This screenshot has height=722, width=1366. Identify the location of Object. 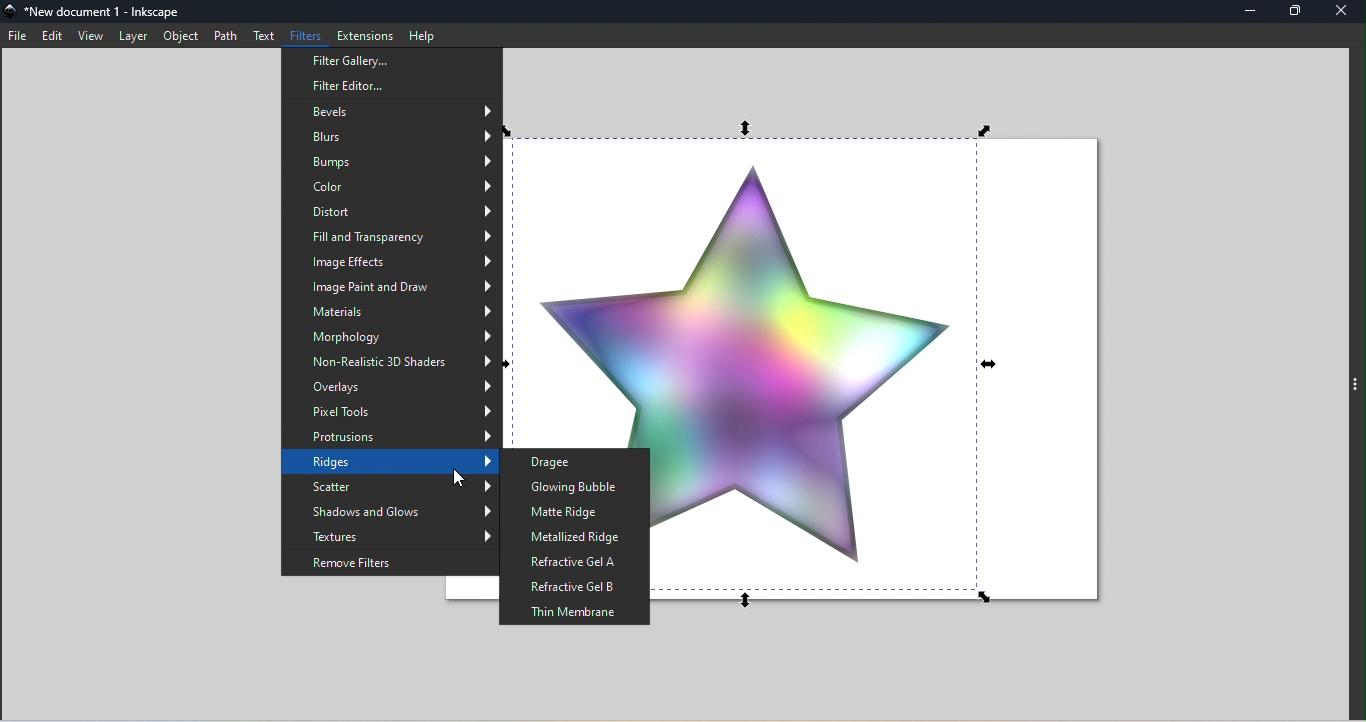
(178, 37).